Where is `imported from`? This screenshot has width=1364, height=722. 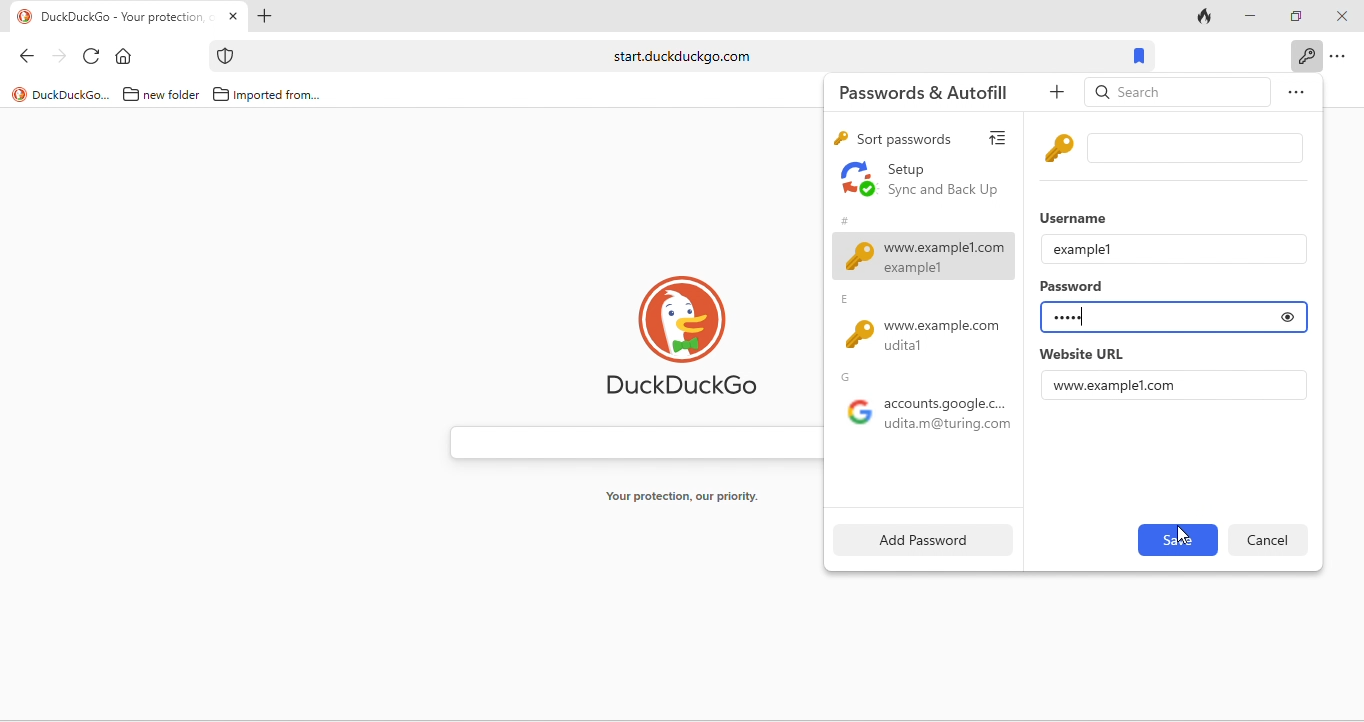 imported from is located at coordinates (279, 96).